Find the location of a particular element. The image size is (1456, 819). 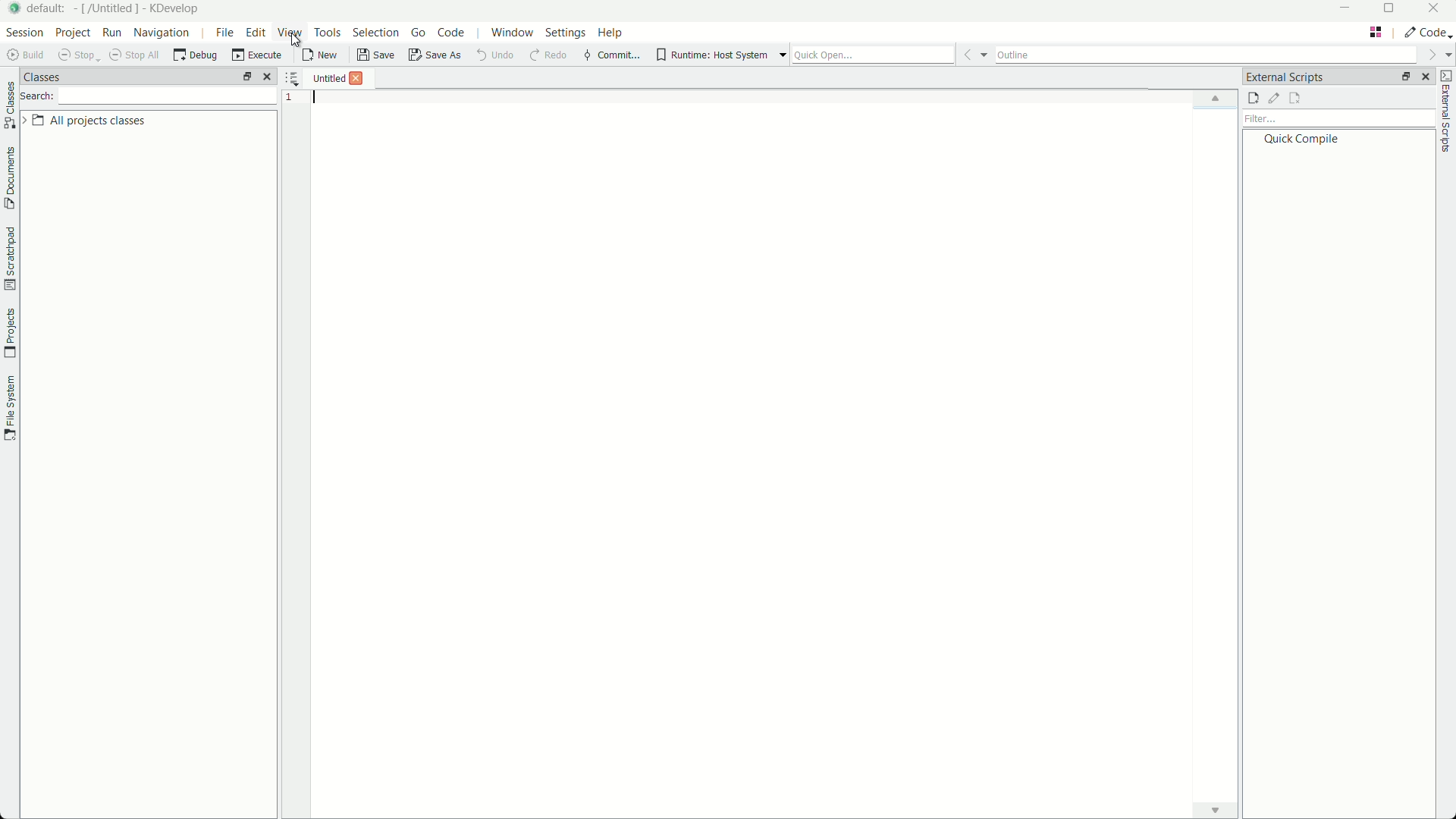

window menu is located at coordinates (512, 33).